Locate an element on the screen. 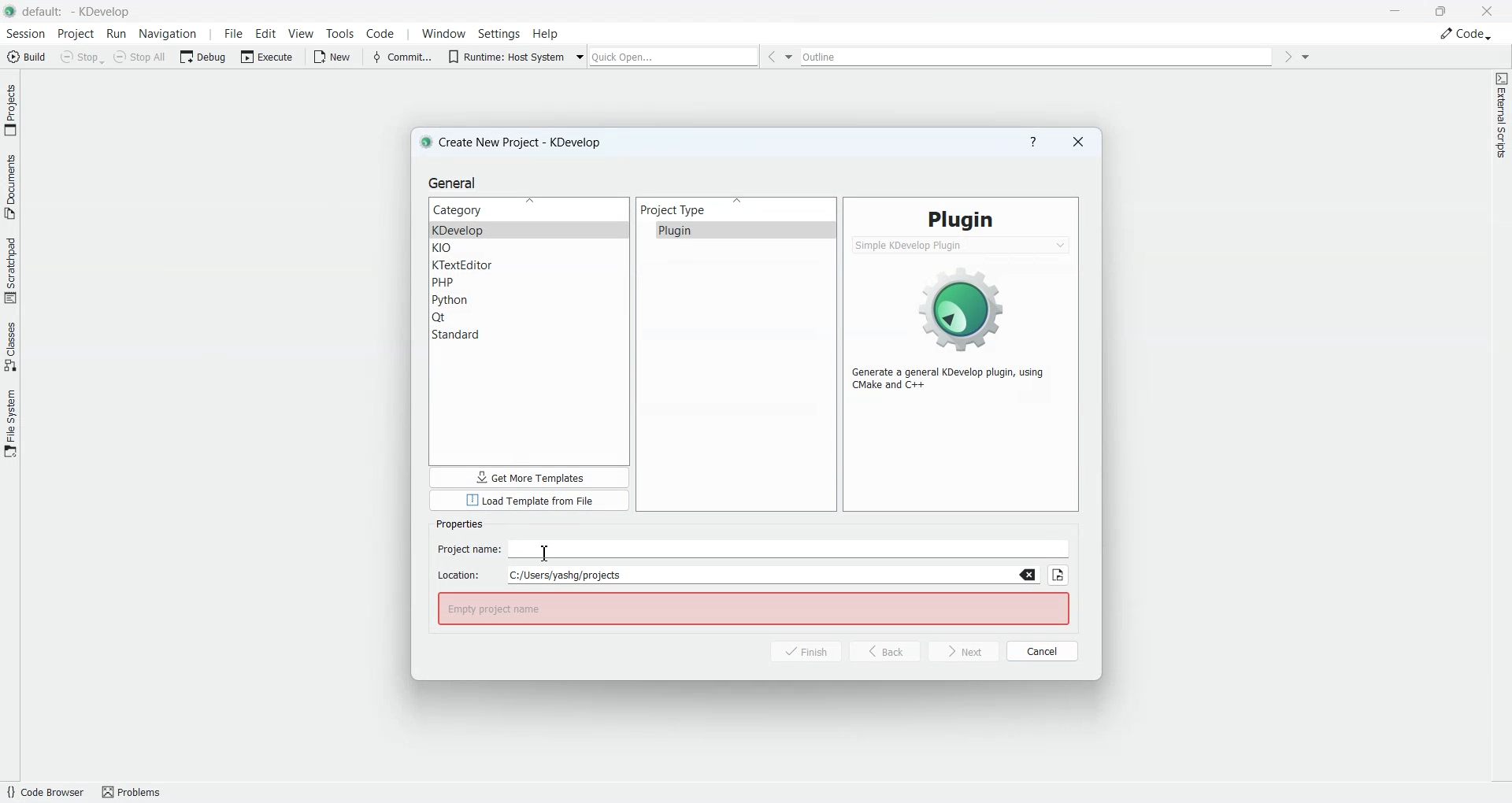 This screenshot has height=803, width=1512. Code is located at coordinates (381, 33).